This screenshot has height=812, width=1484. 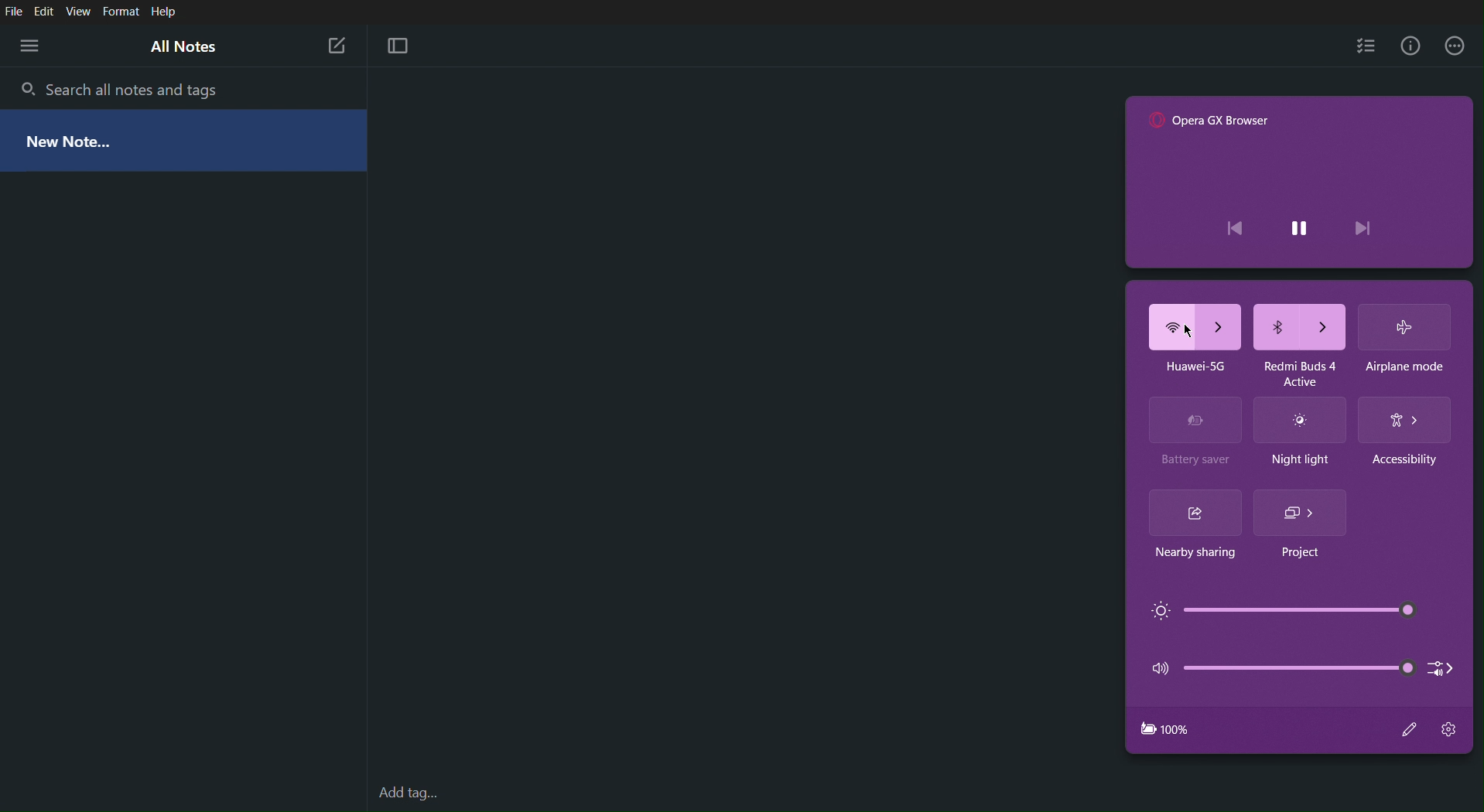 I want to click on Nearby sharing, so click(x=1197, y=515).